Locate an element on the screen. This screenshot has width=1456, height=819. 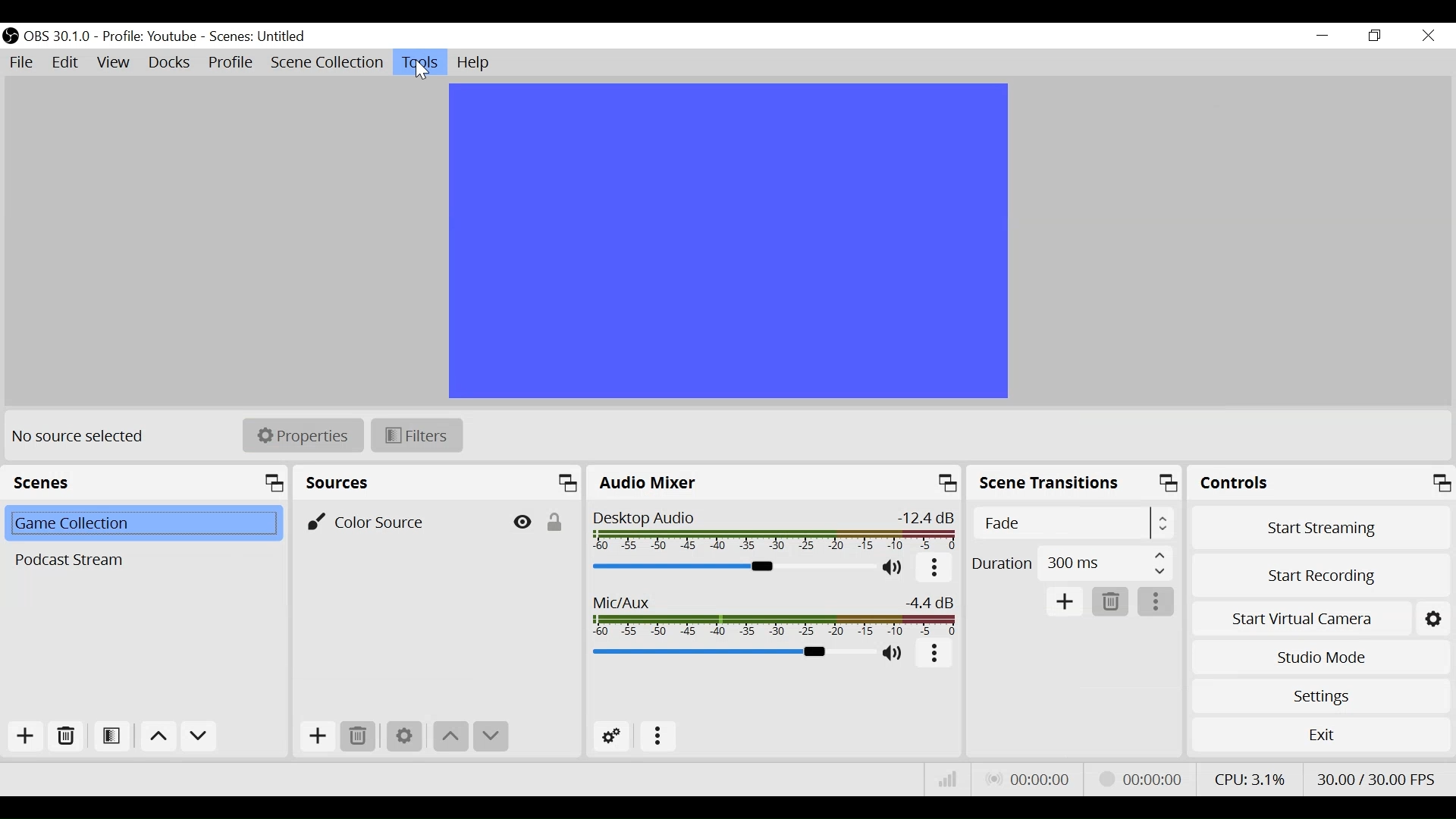
File is located at coordinates (22, 63).